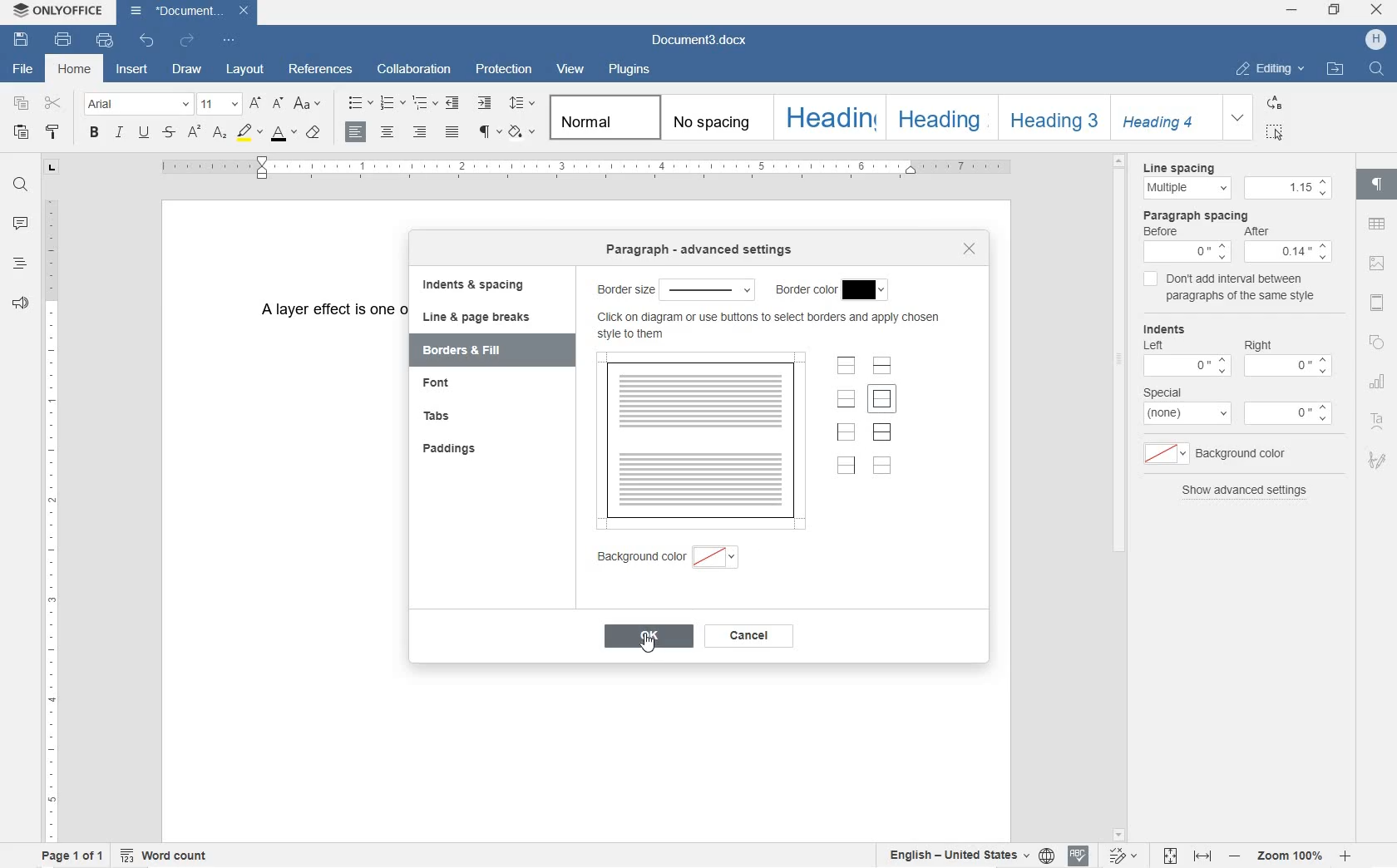 The image size is (1397, 868). What do you see at coordinates (462, 419) in the screenshot?
I see `tabs` at bounding box center [462, 419].